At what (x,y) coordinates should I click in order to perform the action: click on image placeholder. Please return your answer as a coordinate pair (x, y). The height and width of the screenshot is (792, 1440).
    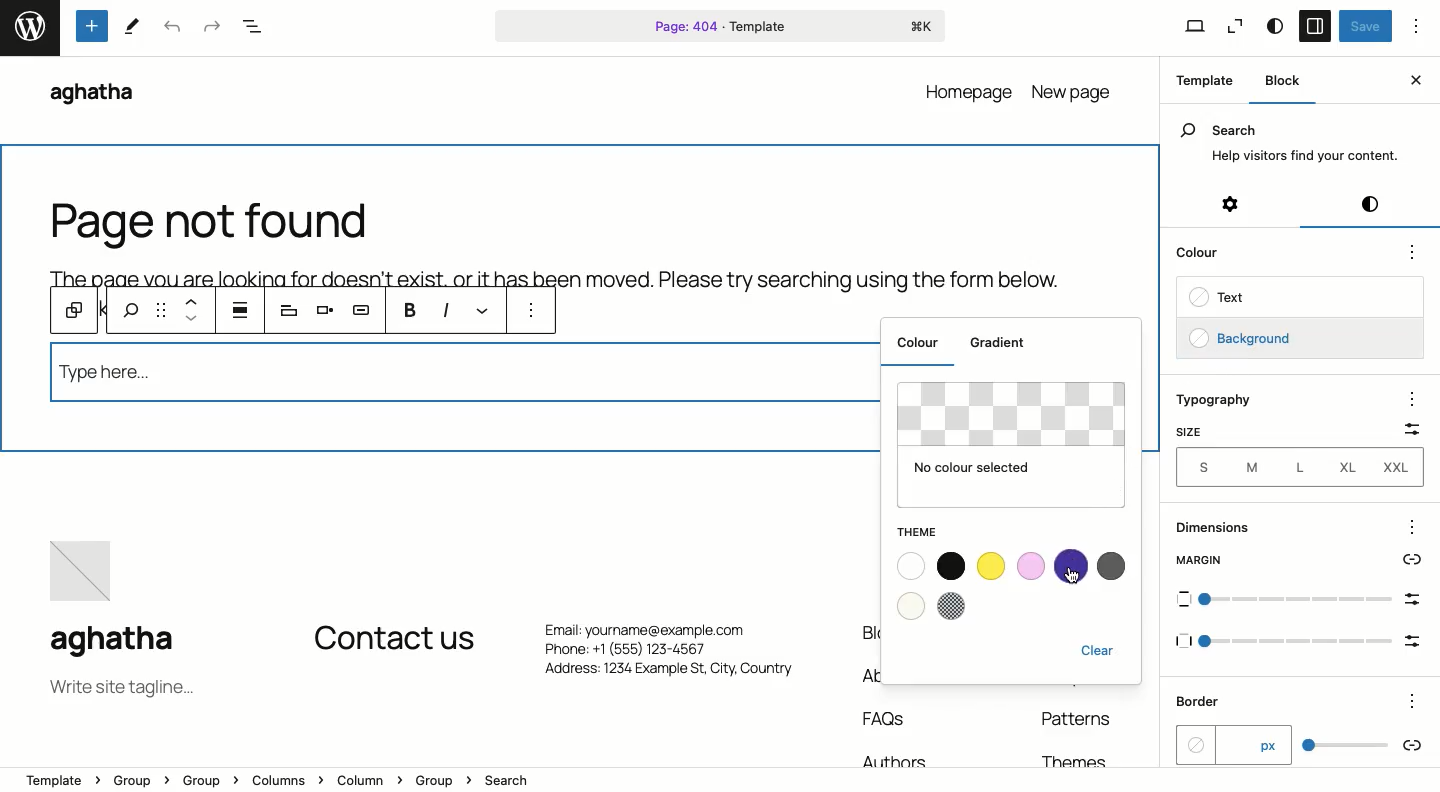
    Looking at the image, I should click on (86, 573).